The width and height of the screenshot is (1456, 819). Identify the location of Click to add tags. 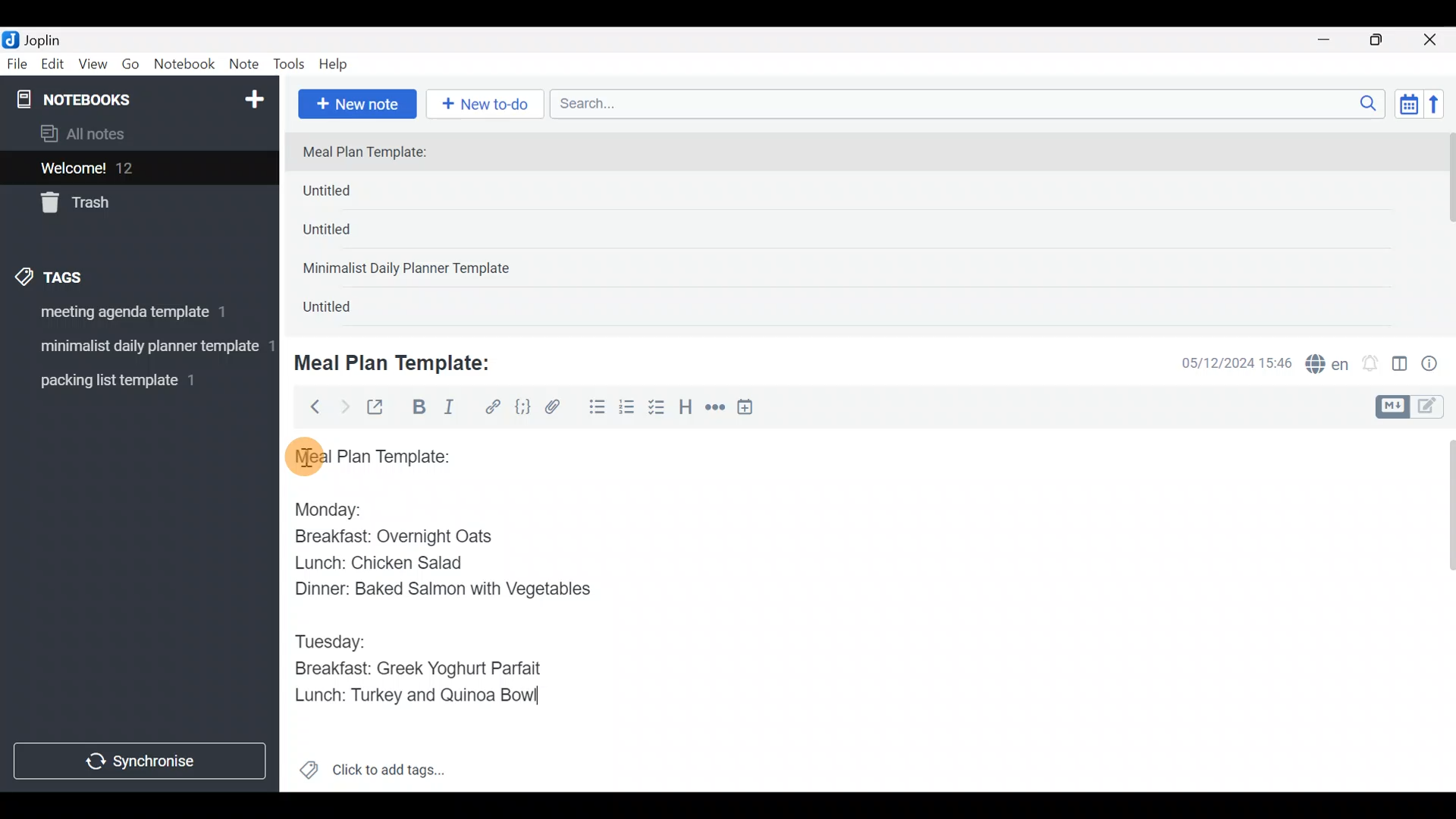
(372, 775).